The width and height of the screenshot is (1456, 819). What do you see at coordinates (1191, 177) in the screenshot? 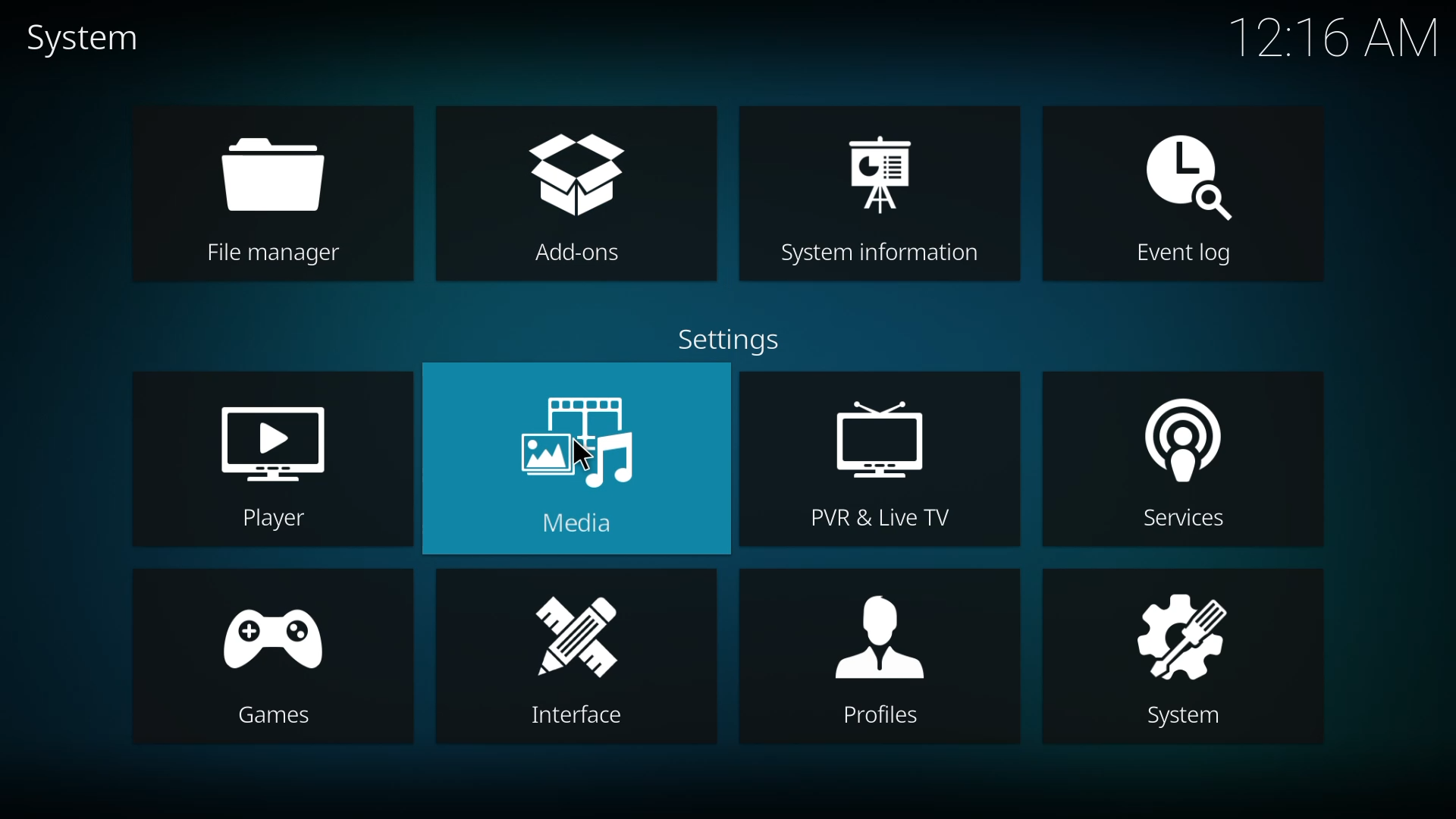
I see `event log` at bounding box center [1191, 177].